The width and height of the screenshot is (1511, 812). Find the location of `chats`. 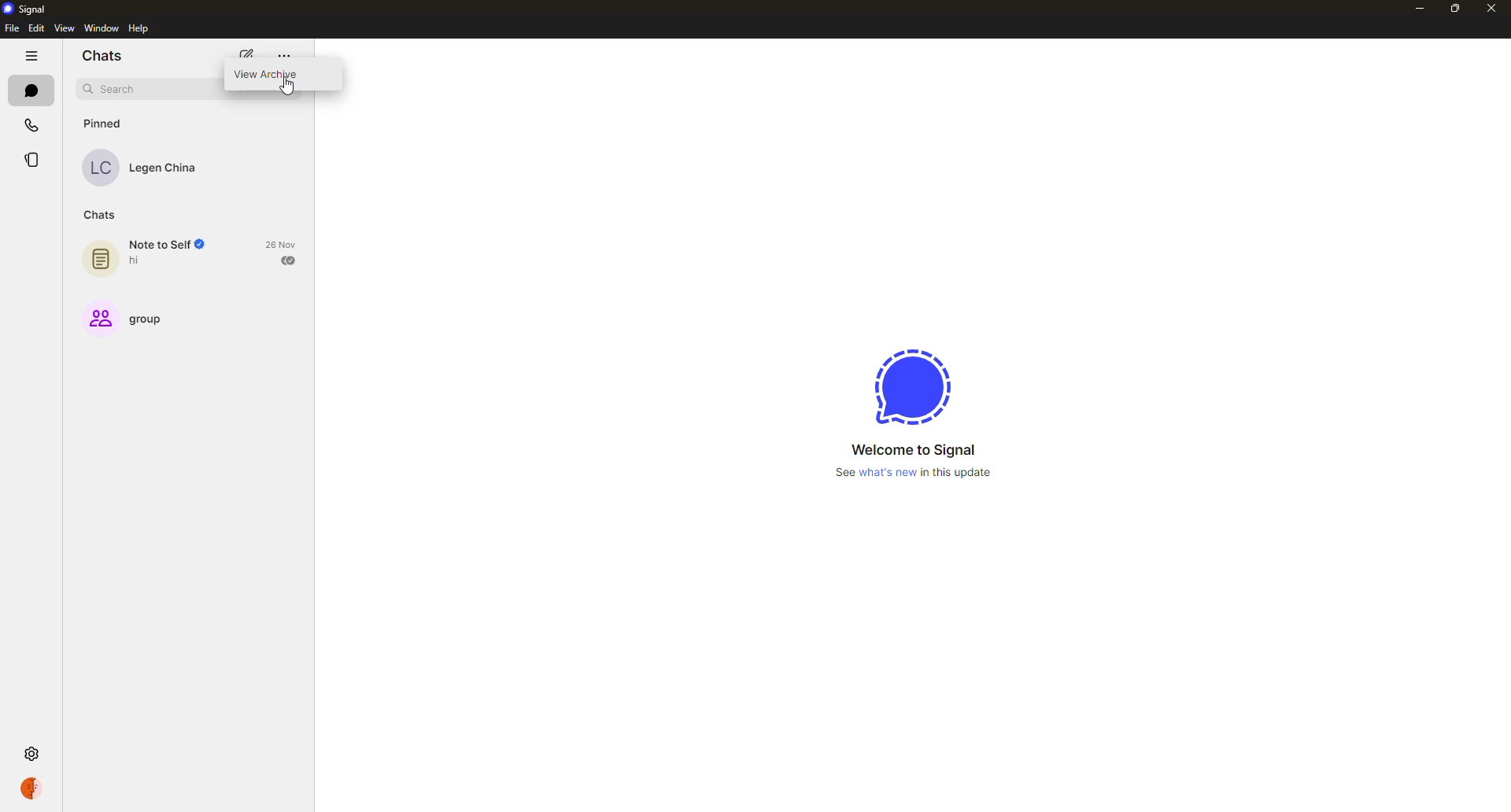

chats is located at coordinates (100, 215).